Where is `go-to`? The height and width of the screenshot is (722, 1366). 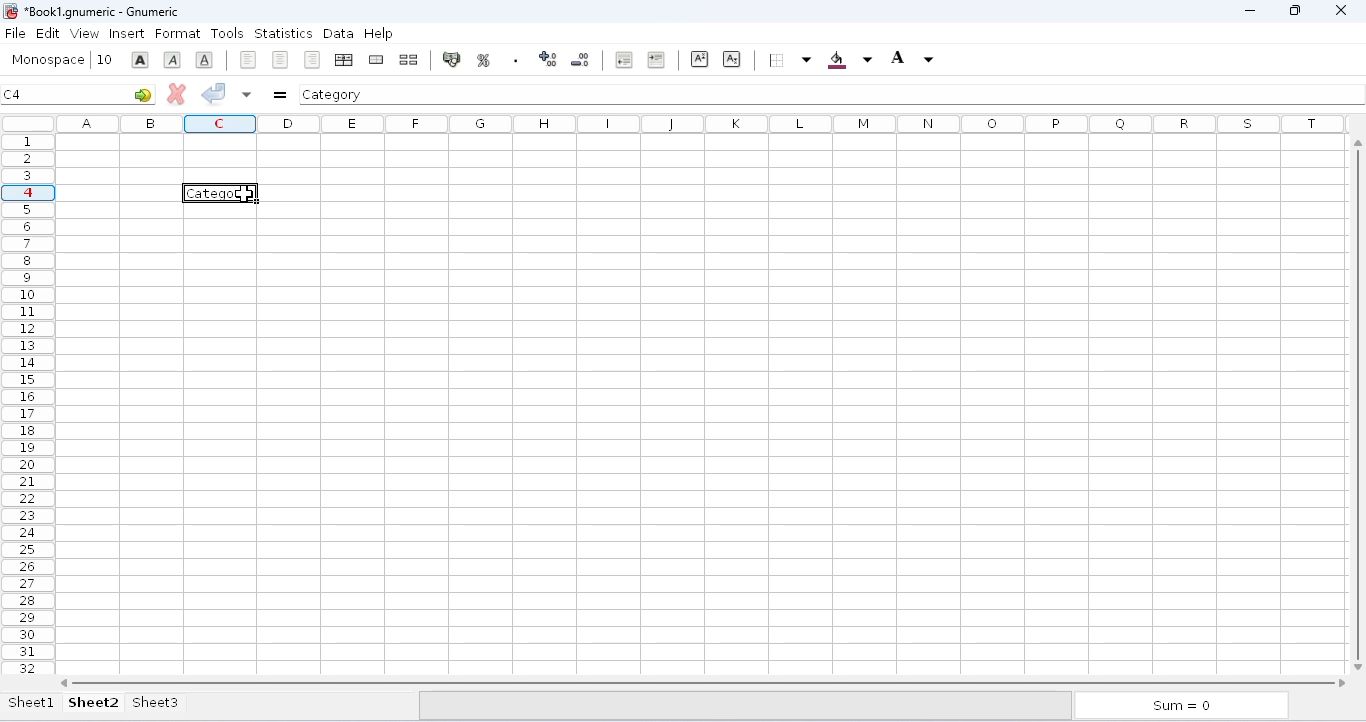
go-to is located at coordinates (143, 94).